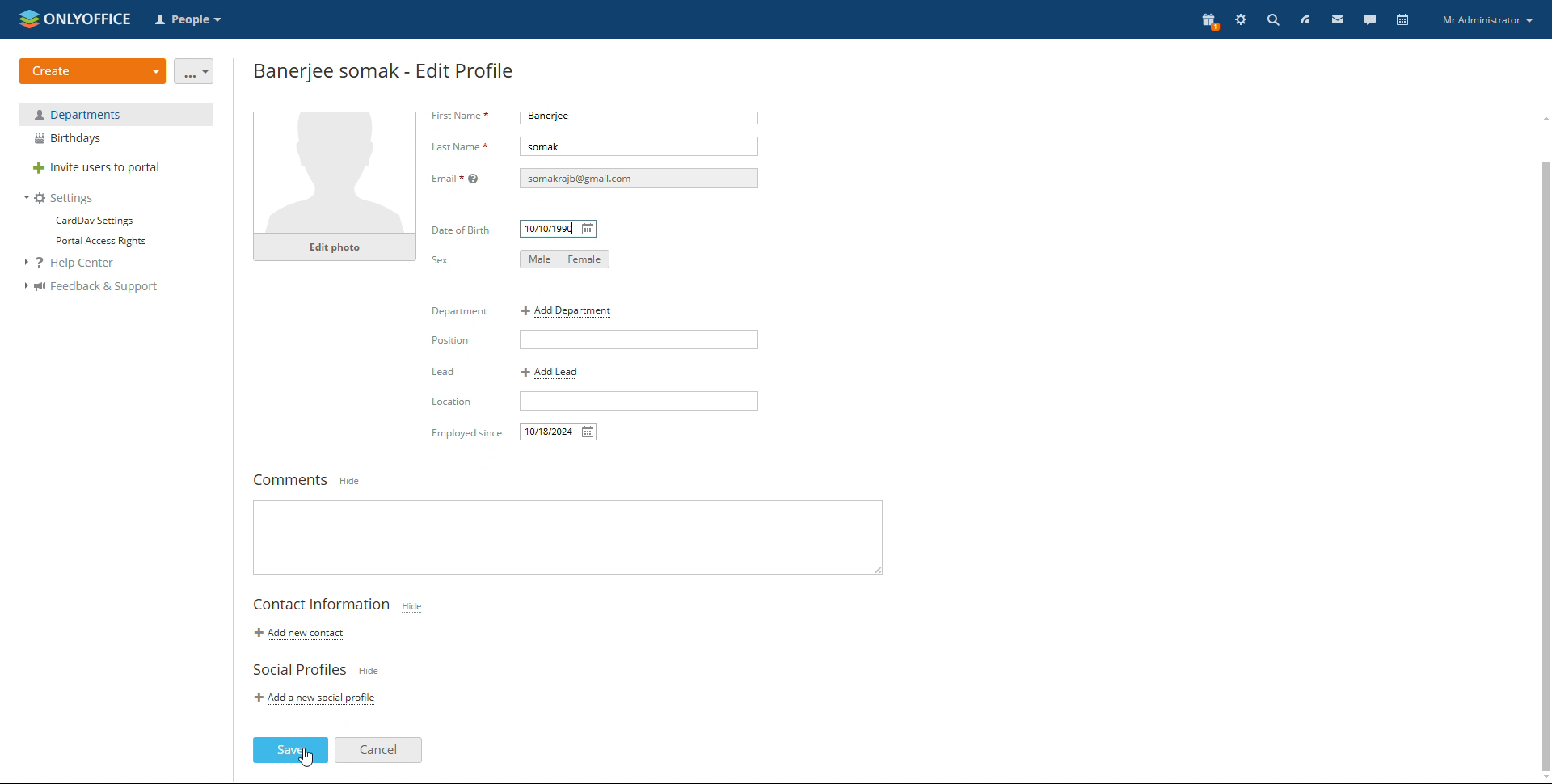  Describe the element at coordinates (335, 289) in the screenshot. I see `edit photo` at that location.